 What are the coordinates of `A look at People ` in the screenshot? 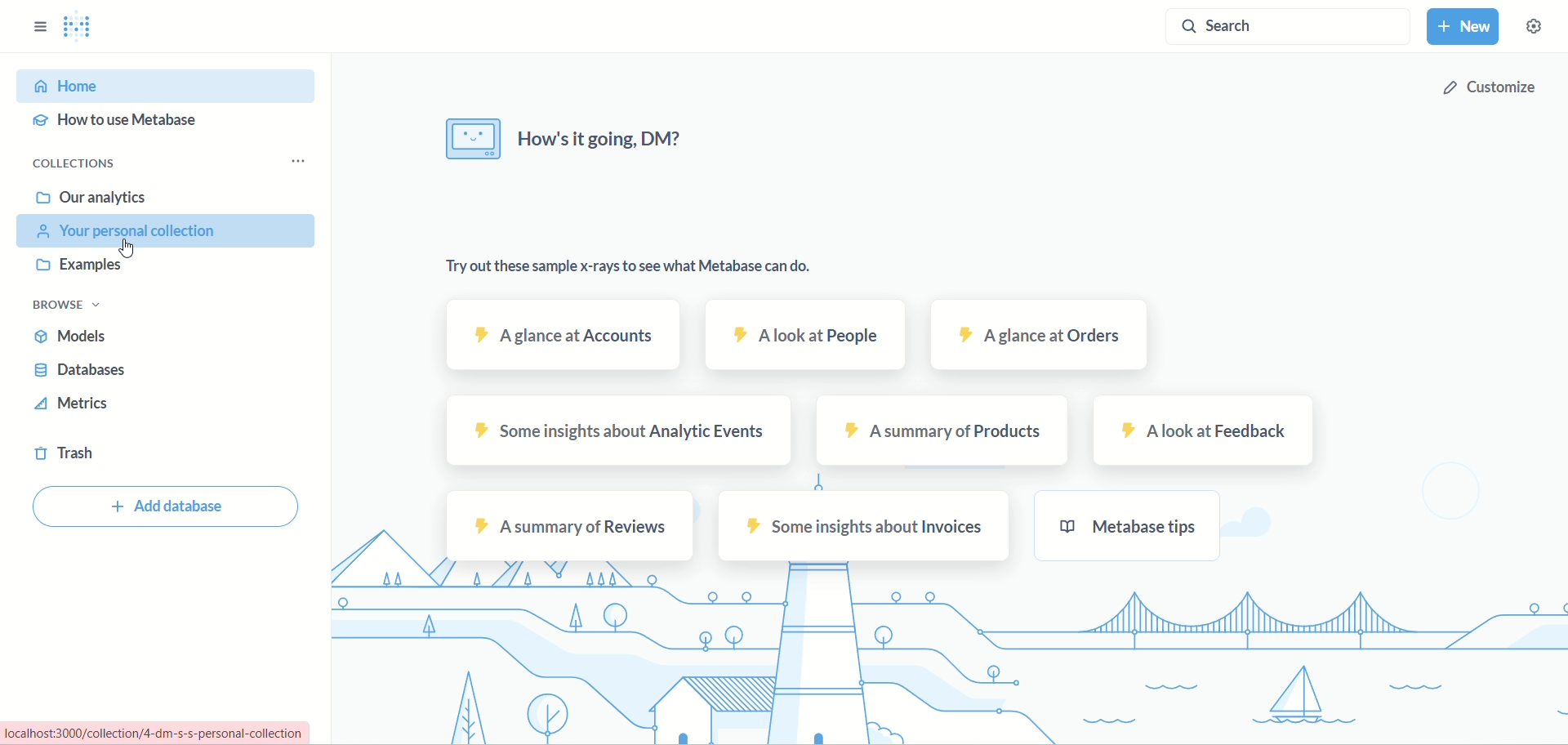 It's located at (803, 337).